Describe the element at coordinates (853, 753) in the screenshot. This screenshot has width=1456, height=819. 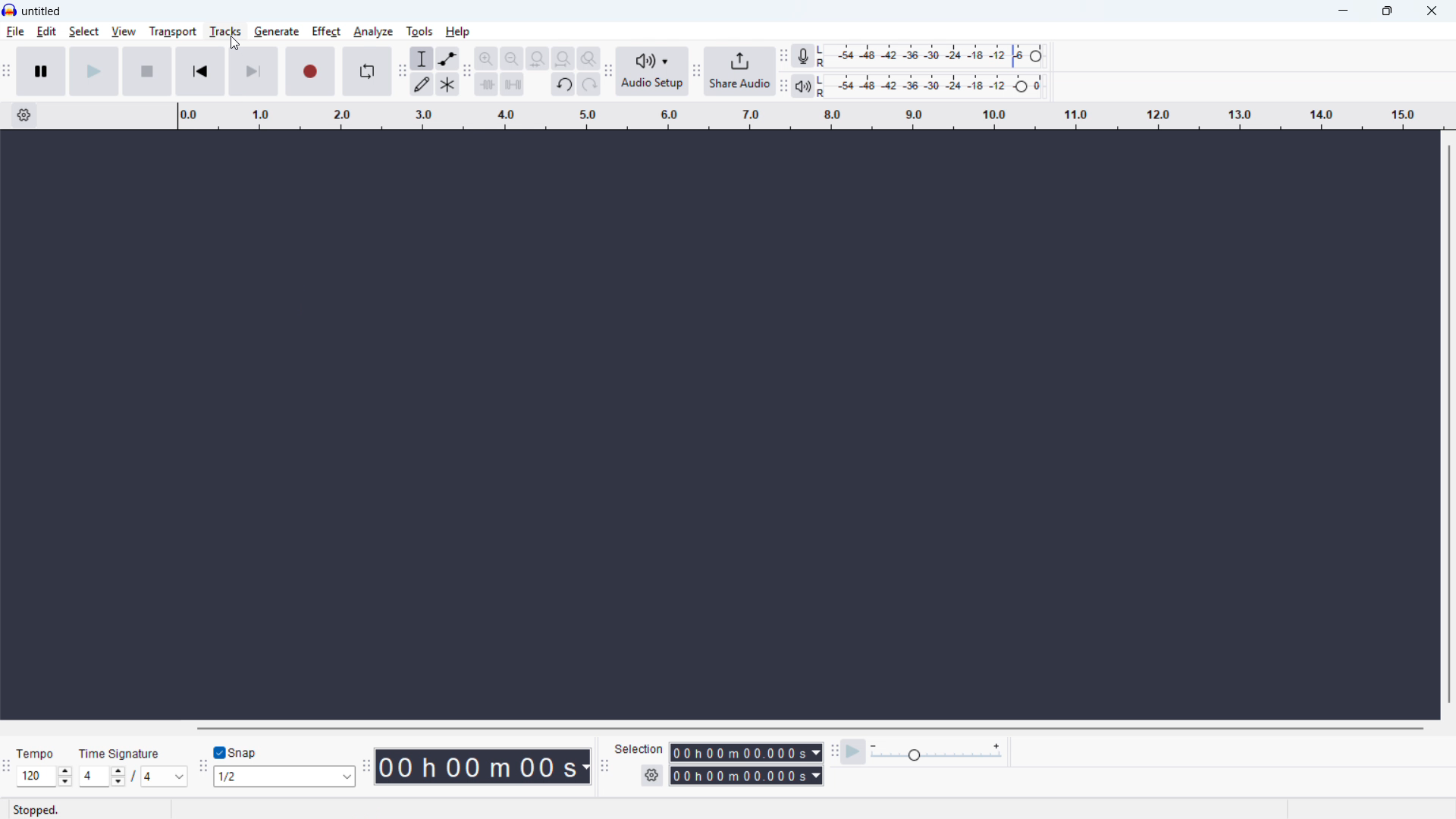
I see `Play at speed ` at that location.